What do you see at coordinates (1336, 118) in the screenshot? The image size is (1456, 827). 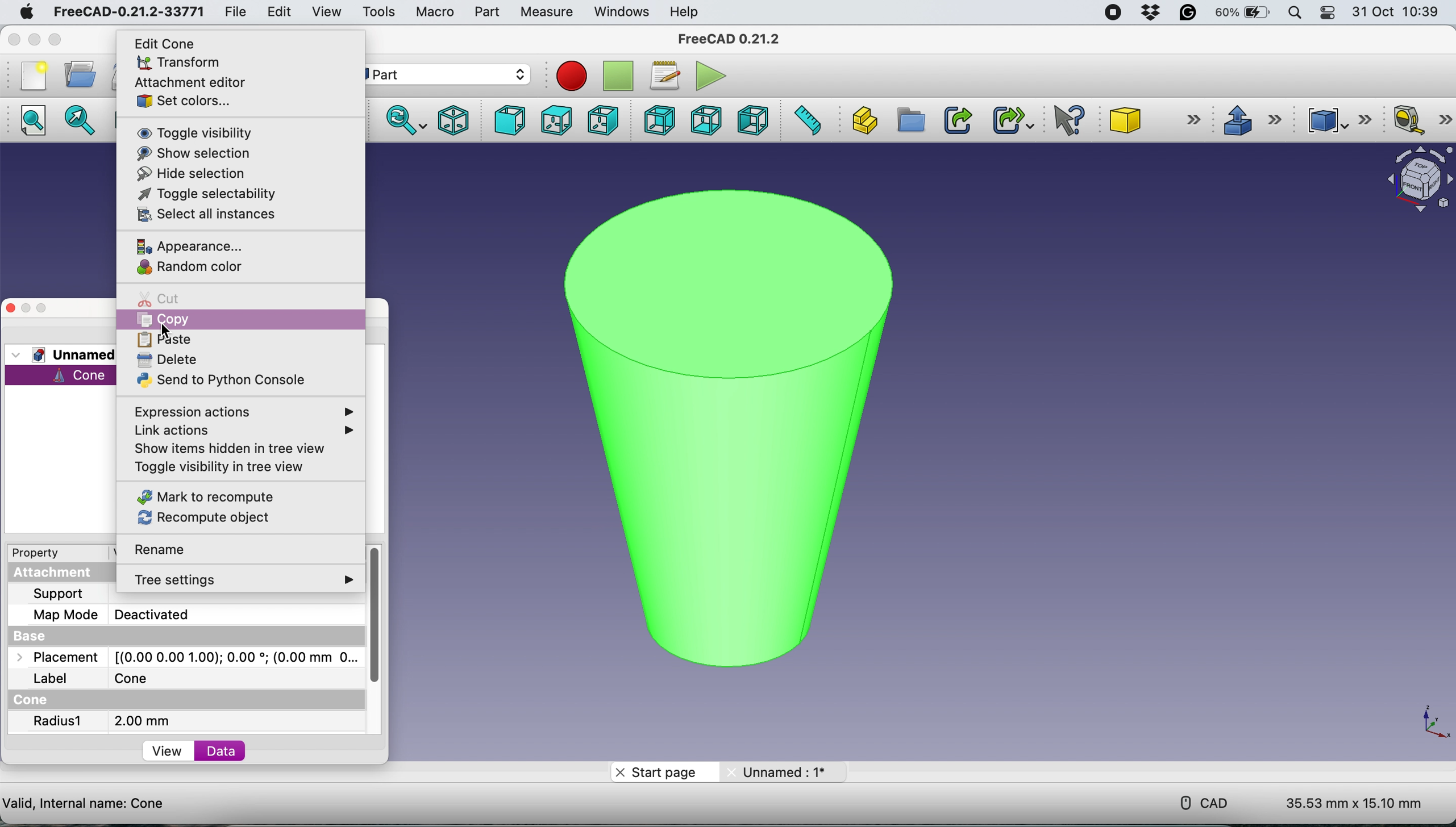 I see `compound tools` at bounding box center [1336, 118].